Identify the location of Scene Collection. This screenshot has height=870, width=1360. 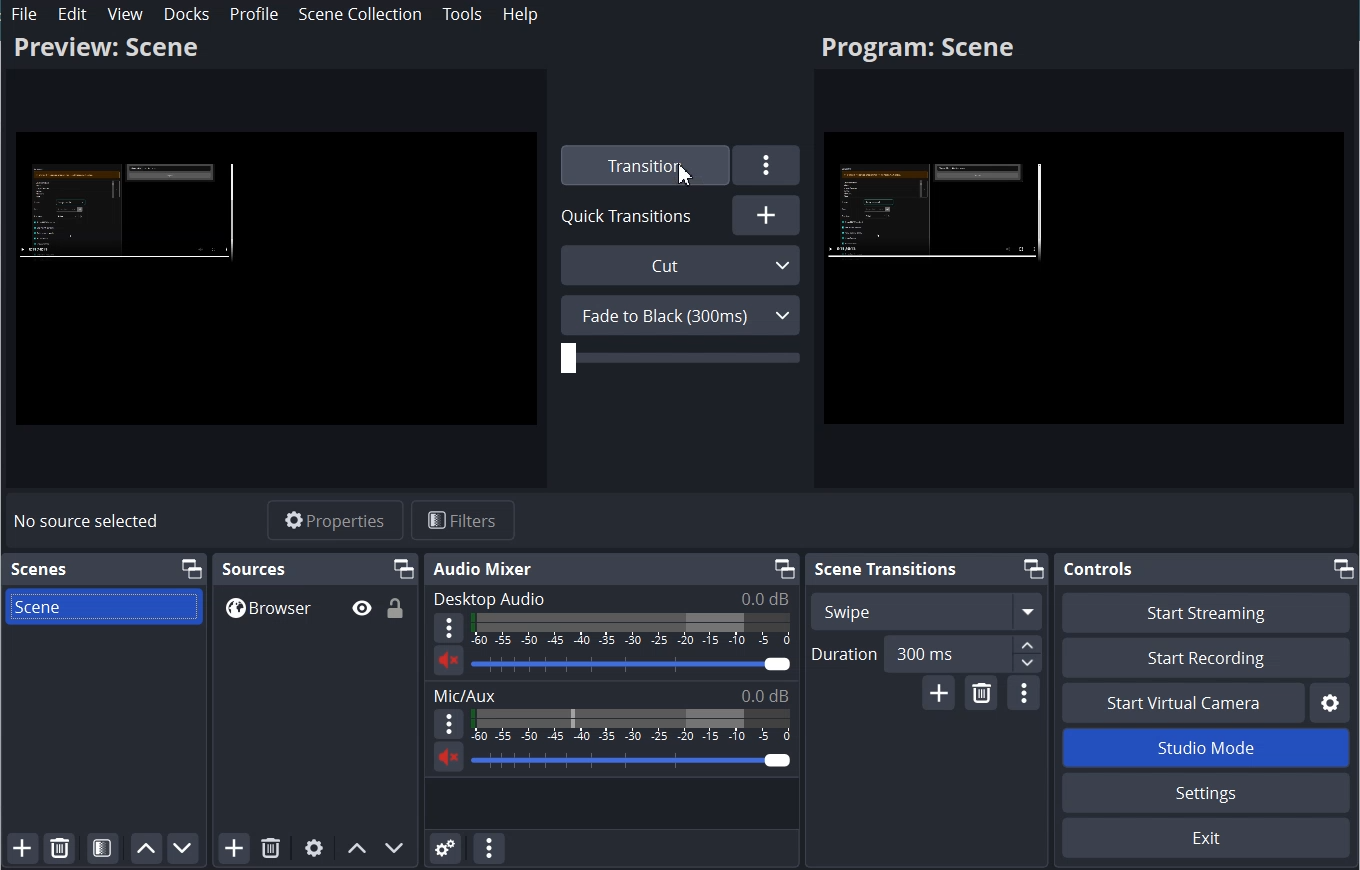
(360, 13).